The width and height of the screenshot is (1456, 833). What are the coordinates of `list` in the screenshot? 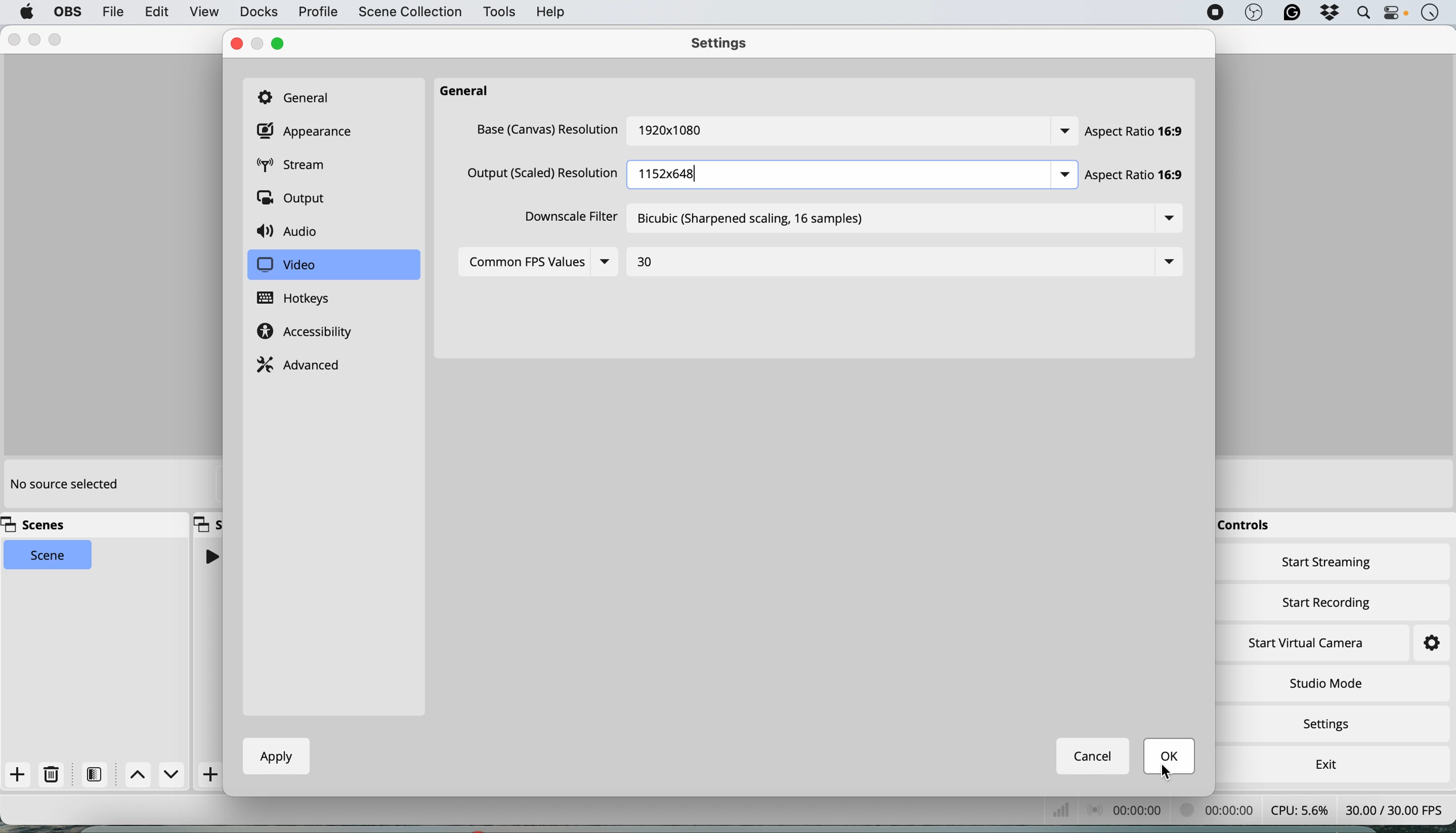 It's located at (607, 263).